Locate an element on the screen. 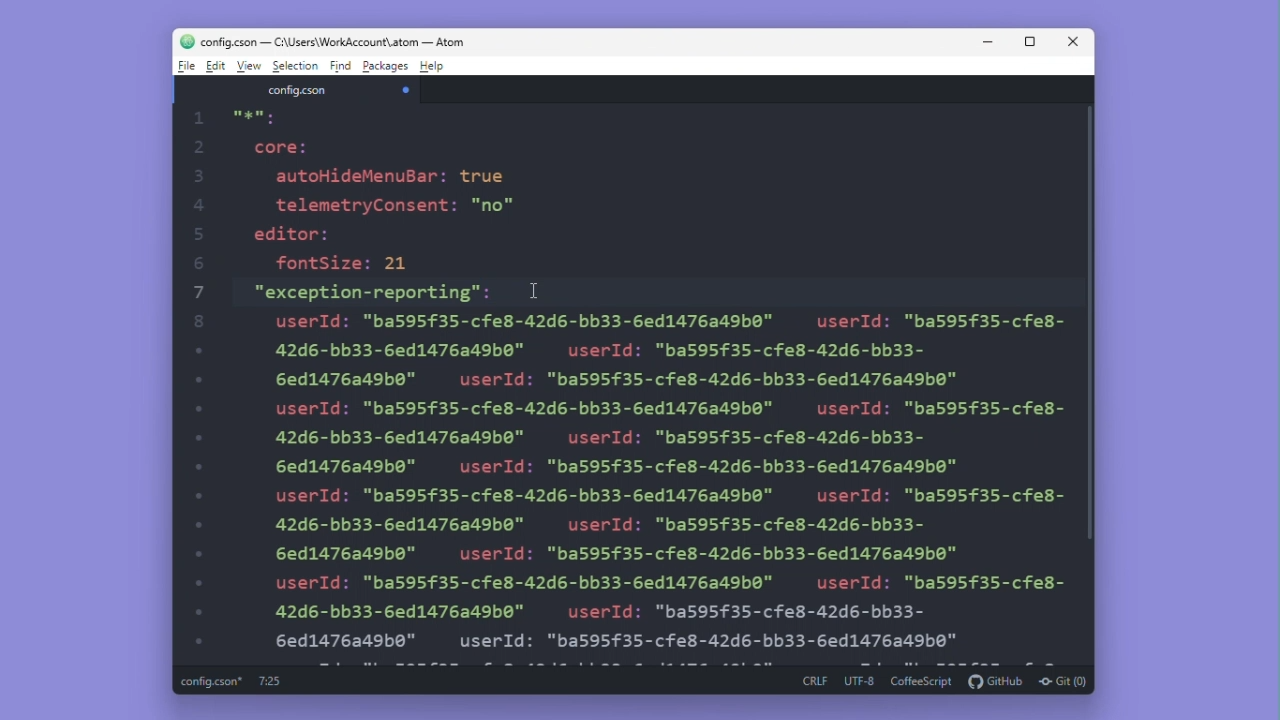  utf-8 is located at coordinates (859, 681).